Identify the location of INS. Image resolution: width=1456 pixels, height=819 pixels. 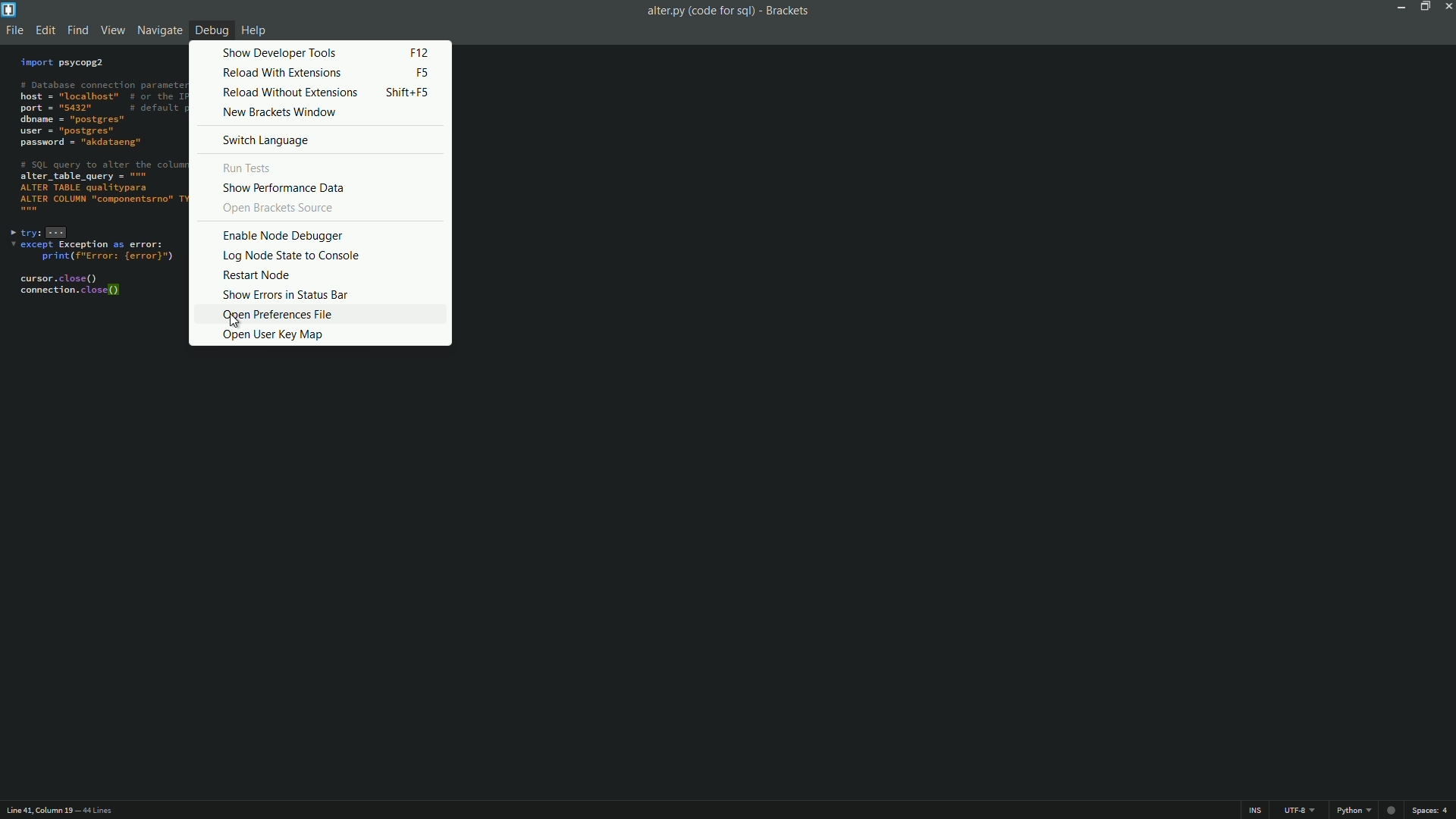
(1257, 811).